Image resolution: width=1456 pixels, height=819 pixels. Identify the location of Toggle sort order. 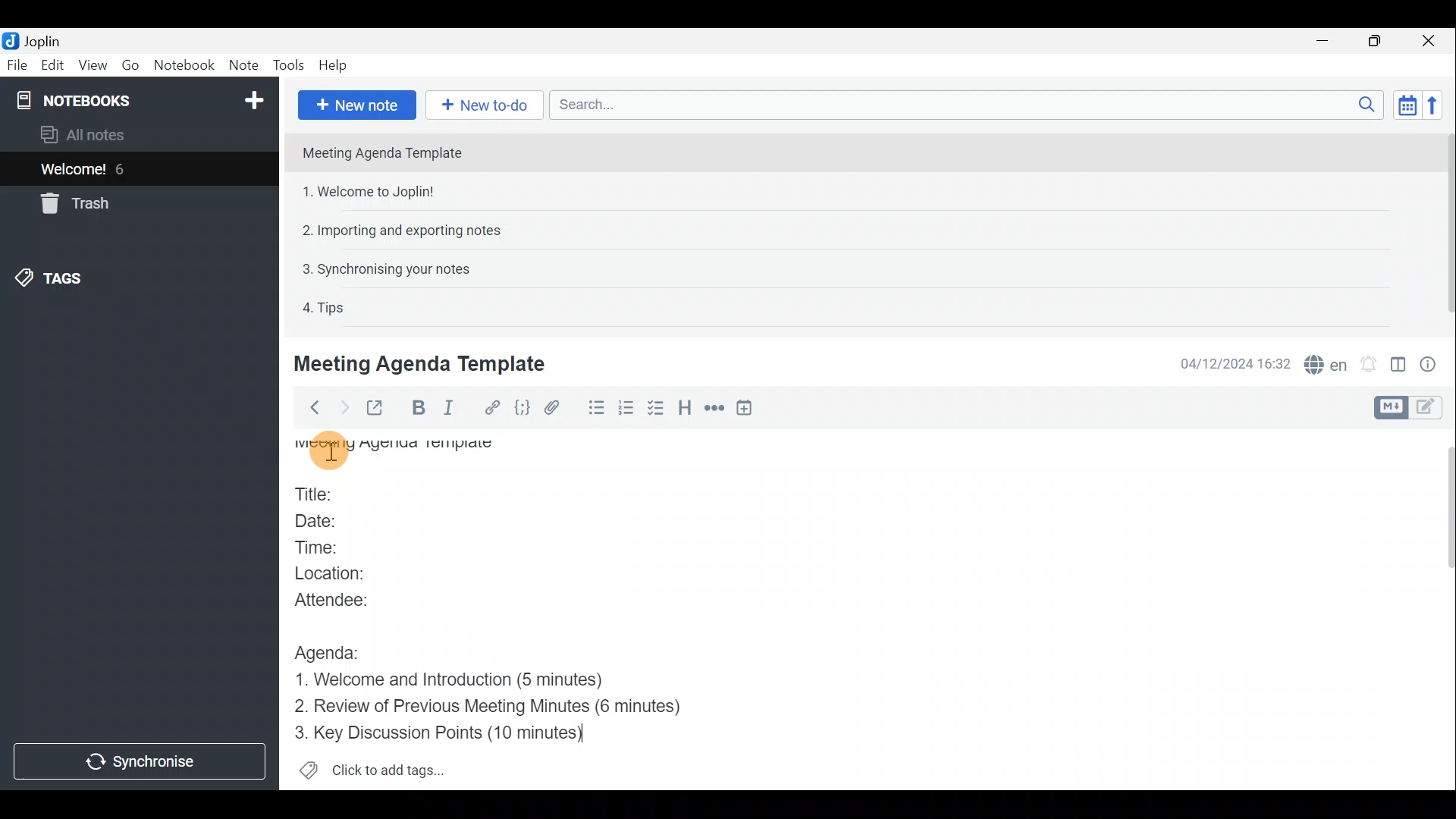
(1404, 103).